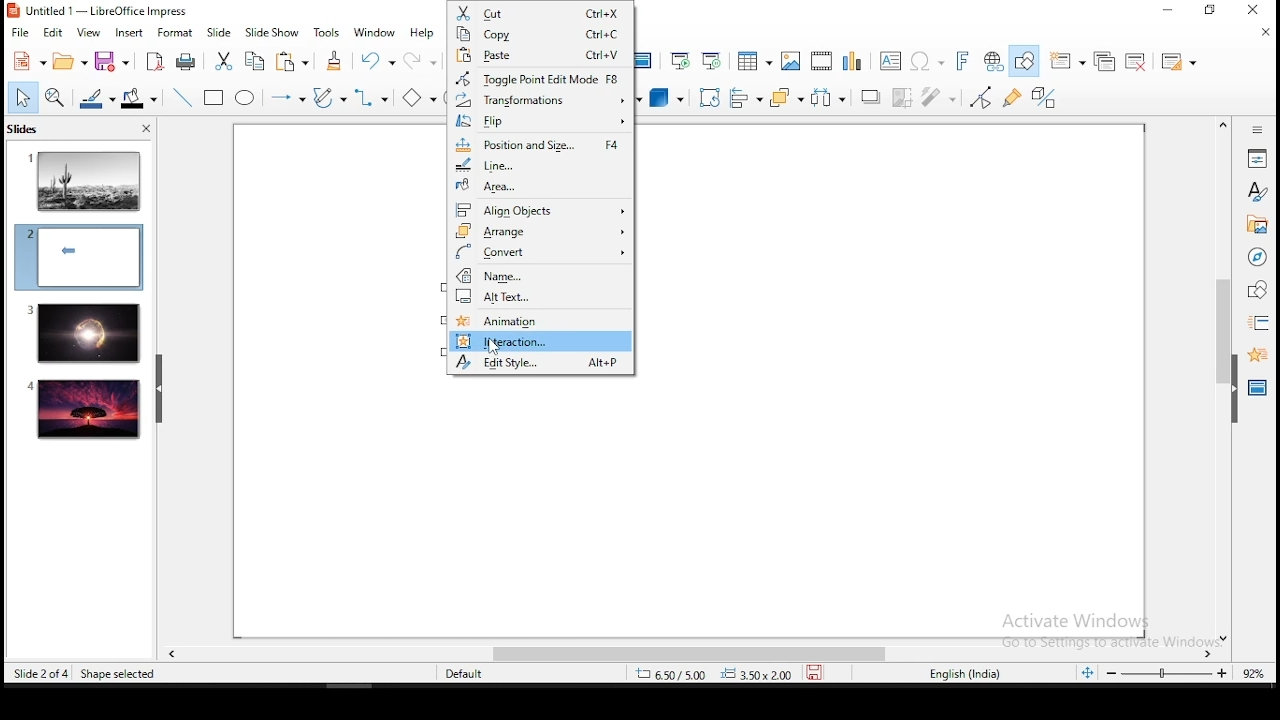 This screenshot has height=720, width=1280. Describe the element at coordinates (379, 61) in the screenshot. I see `undo` at that location.